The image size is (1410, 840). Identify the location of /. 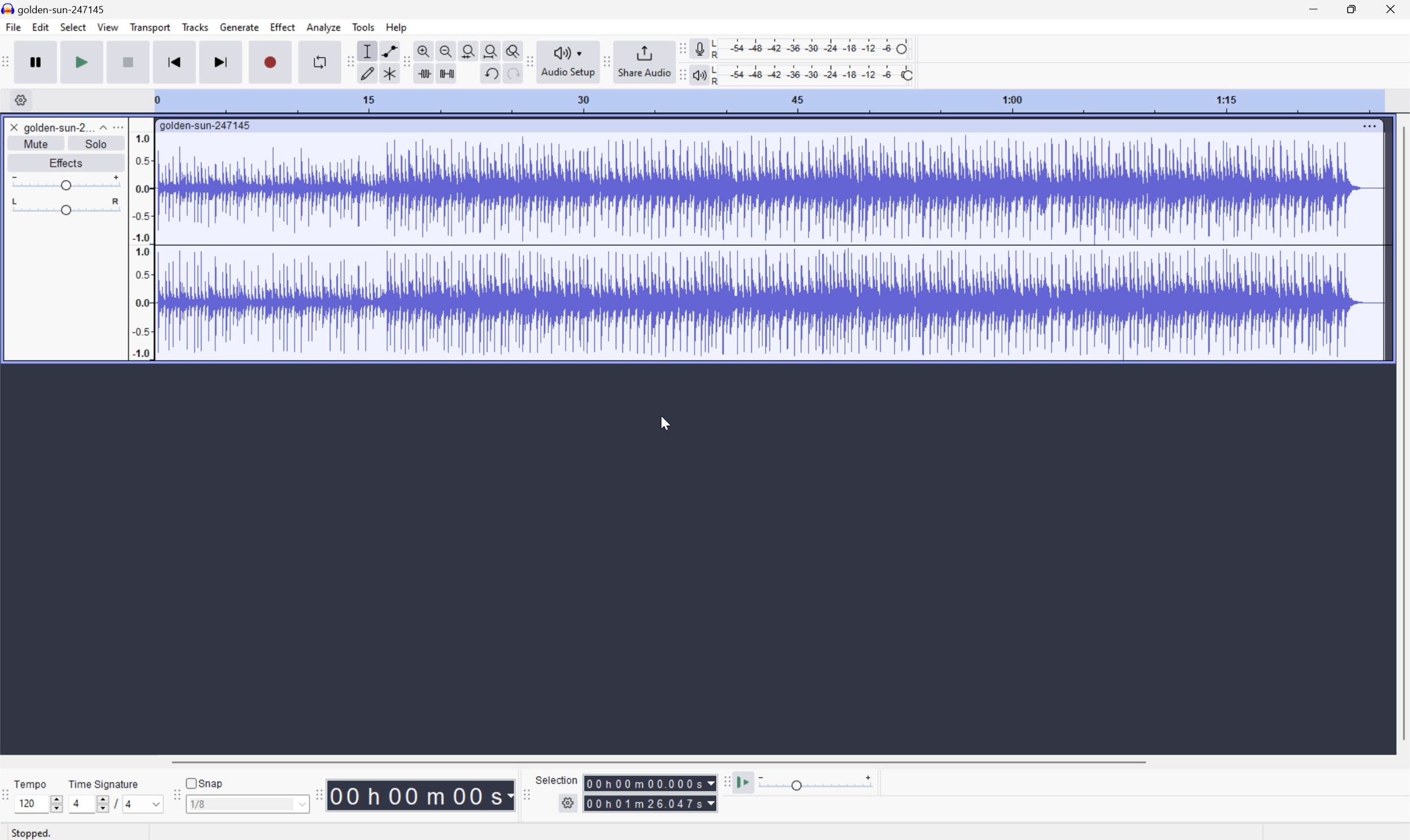
(116, 804).